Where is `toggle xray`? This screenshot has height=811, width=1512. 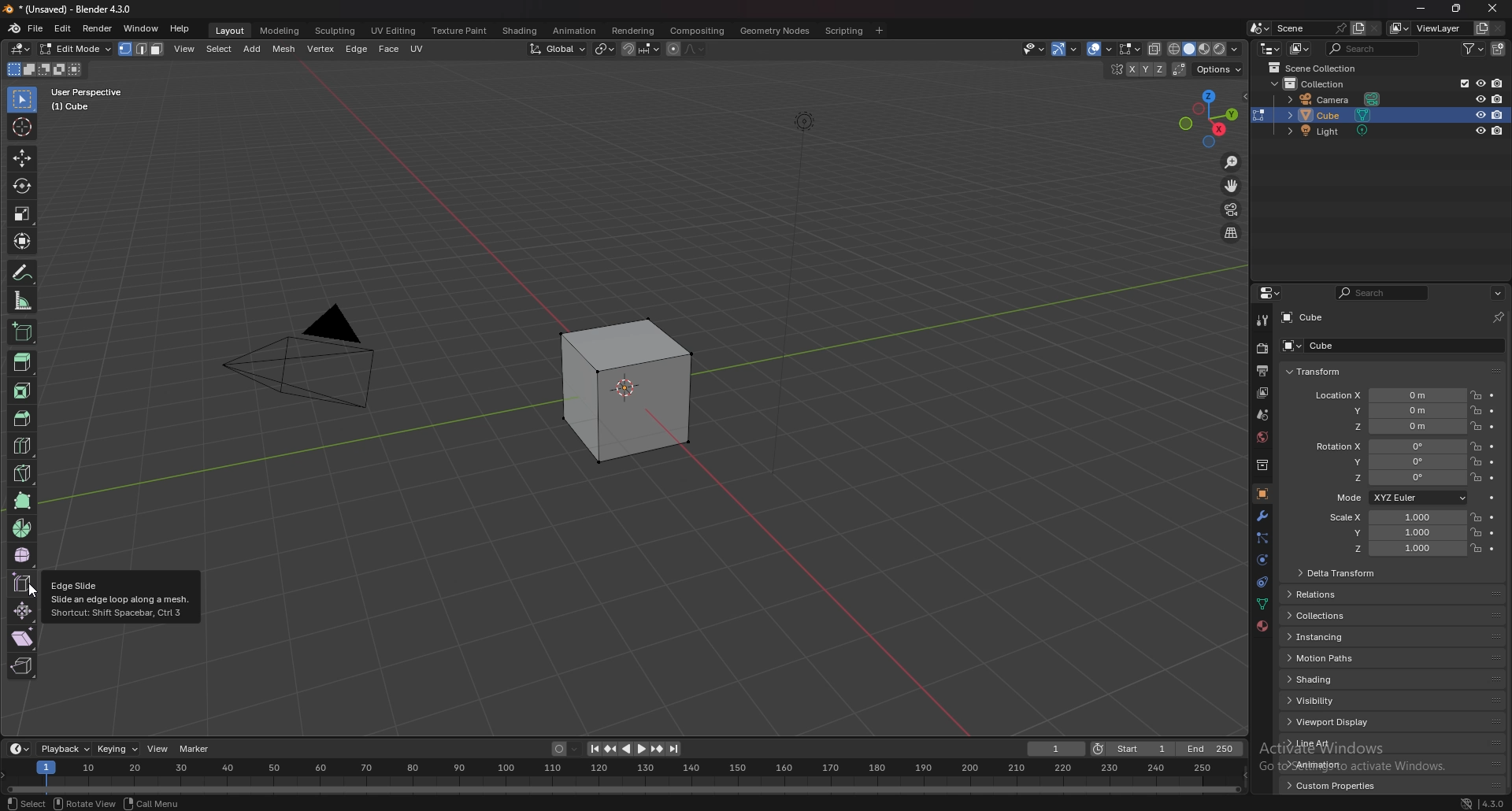 toggle xray is located at coordinates (1155, 49).